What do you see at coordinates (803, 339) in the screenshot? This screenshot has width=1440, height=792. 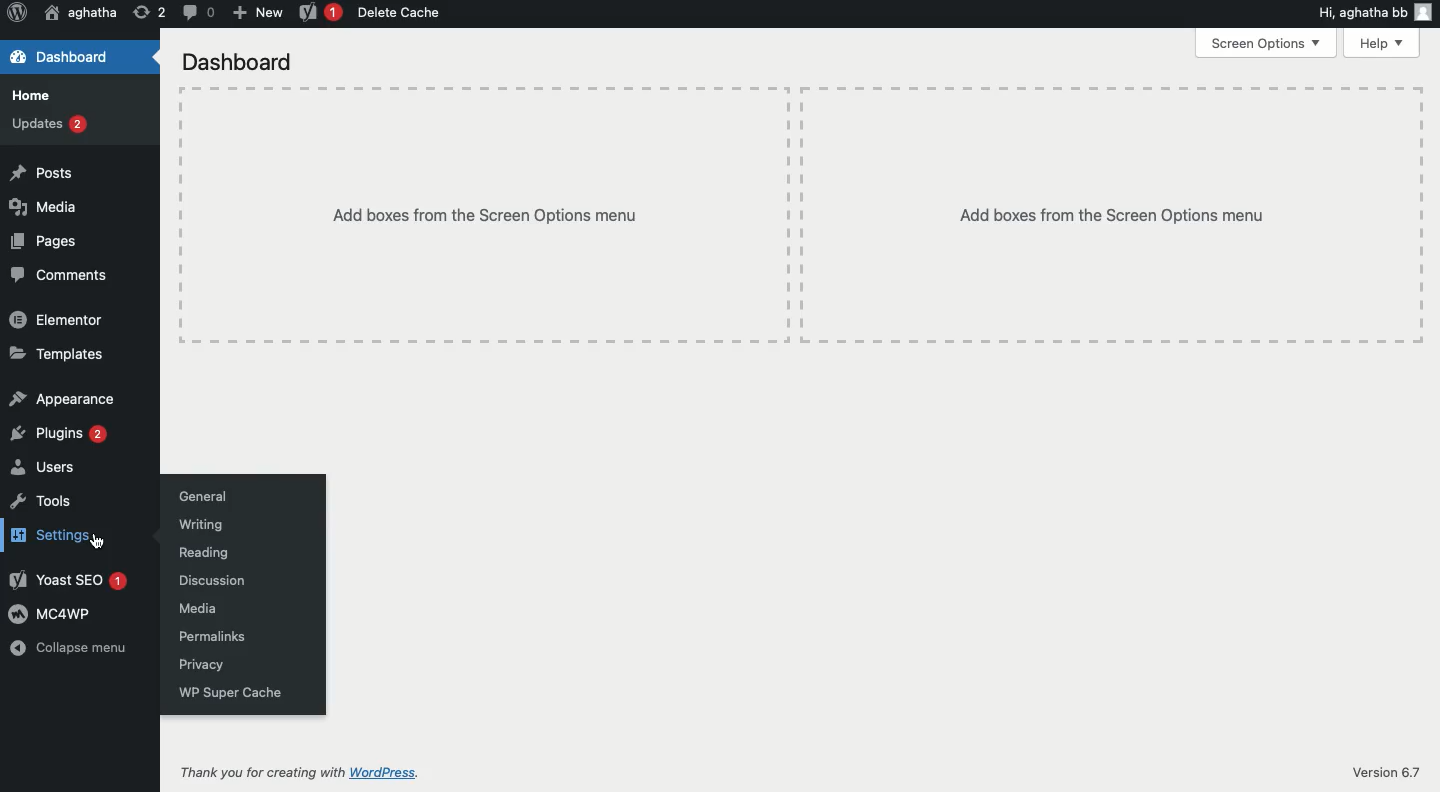 I see `Table line` at bounding box center [803, 339].